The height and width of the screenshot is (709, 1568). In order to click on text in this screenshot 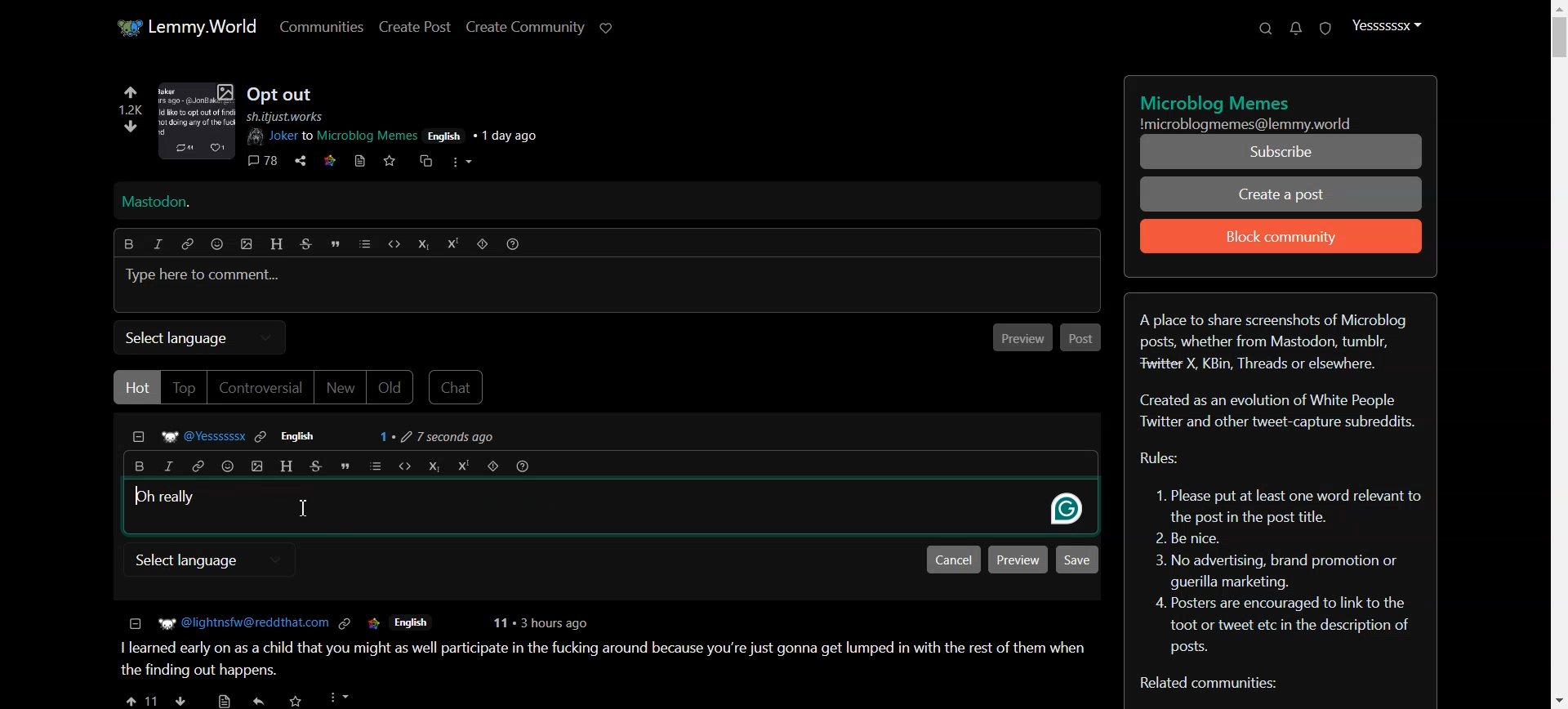, I will do `click(1218, 101)`.